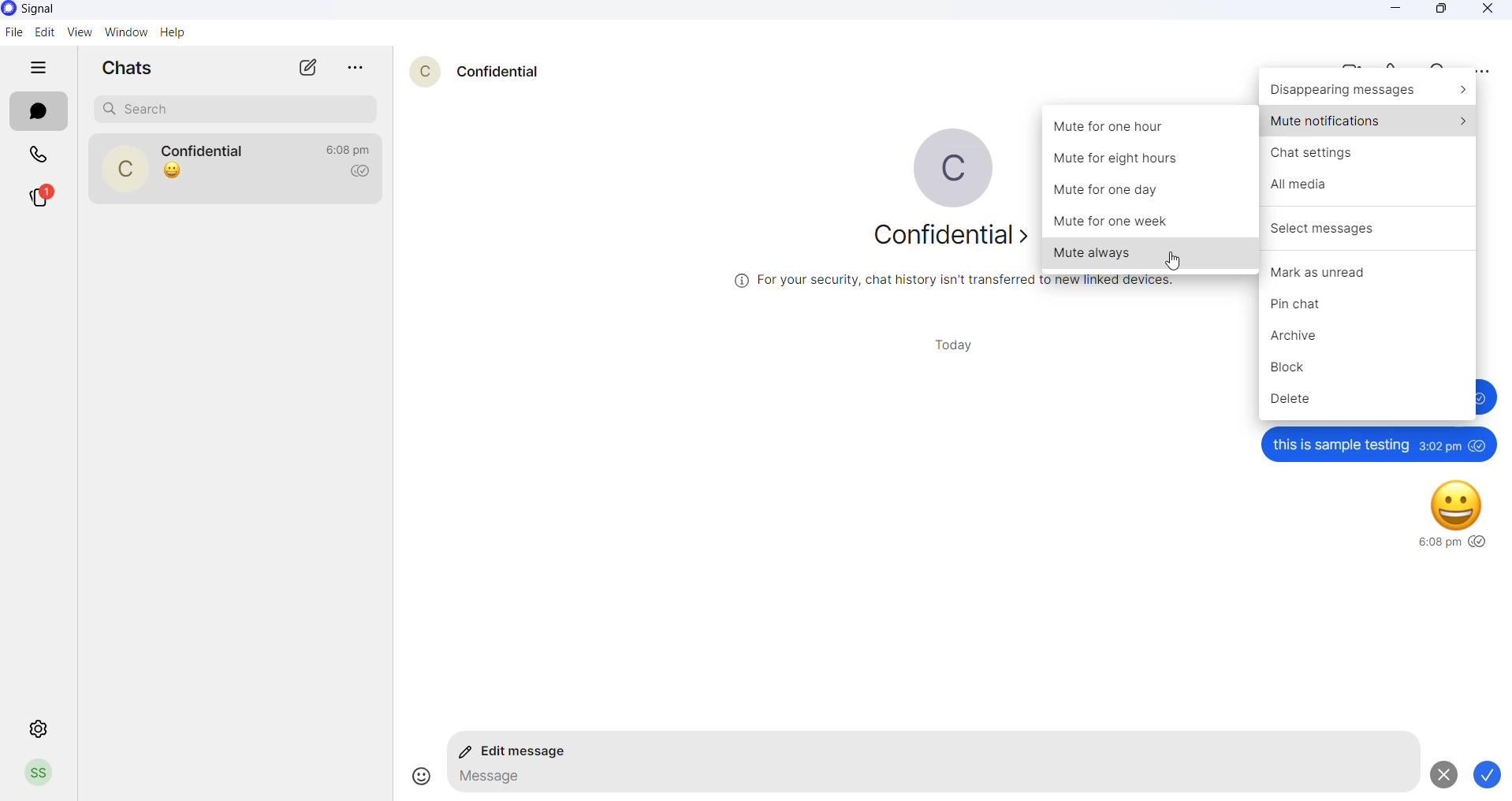 The height and width of the screenshot is (801, 1512). I want to click on read recipient, so click(364, 172).